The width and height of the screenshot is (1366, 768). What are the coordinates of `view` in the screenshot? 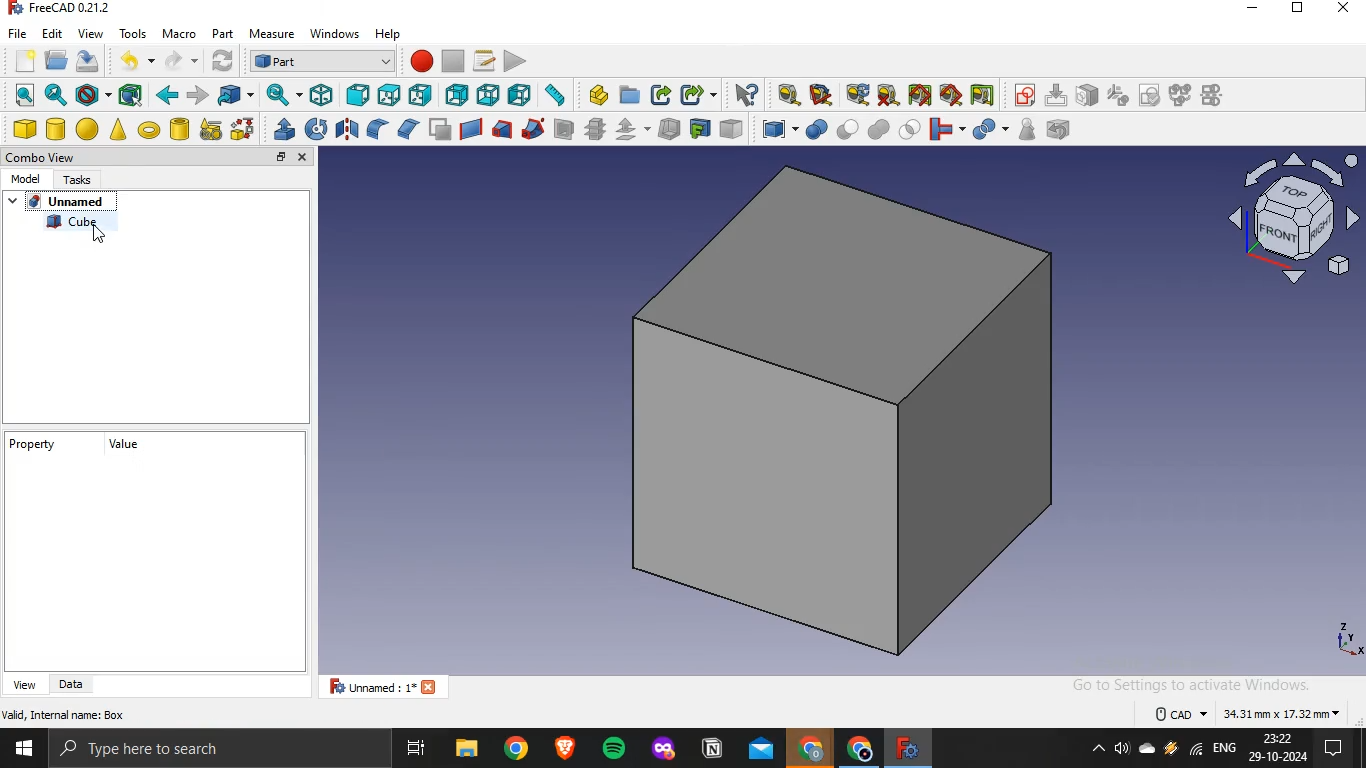 It's located at (25, 685).